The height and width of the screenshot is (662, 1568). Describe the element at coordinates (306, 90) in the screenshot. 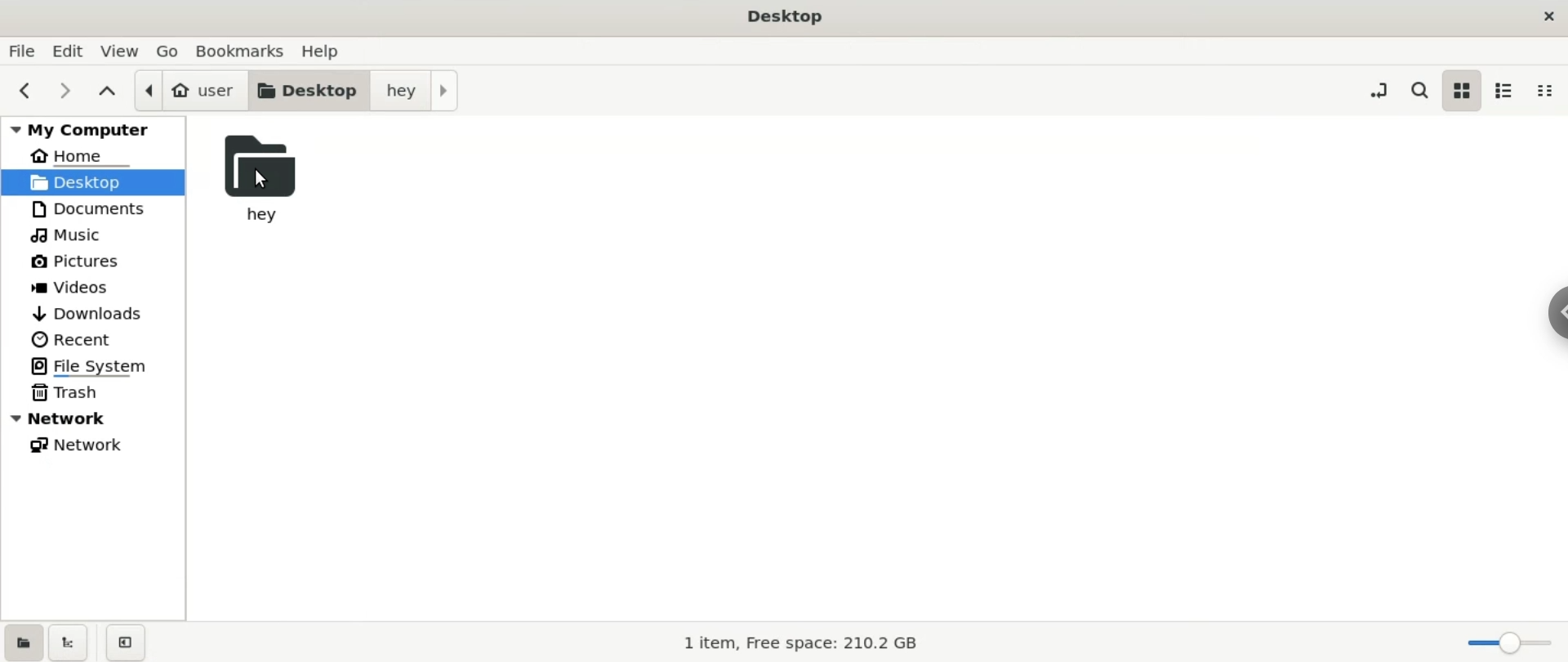

I see `desktopm` at that location.